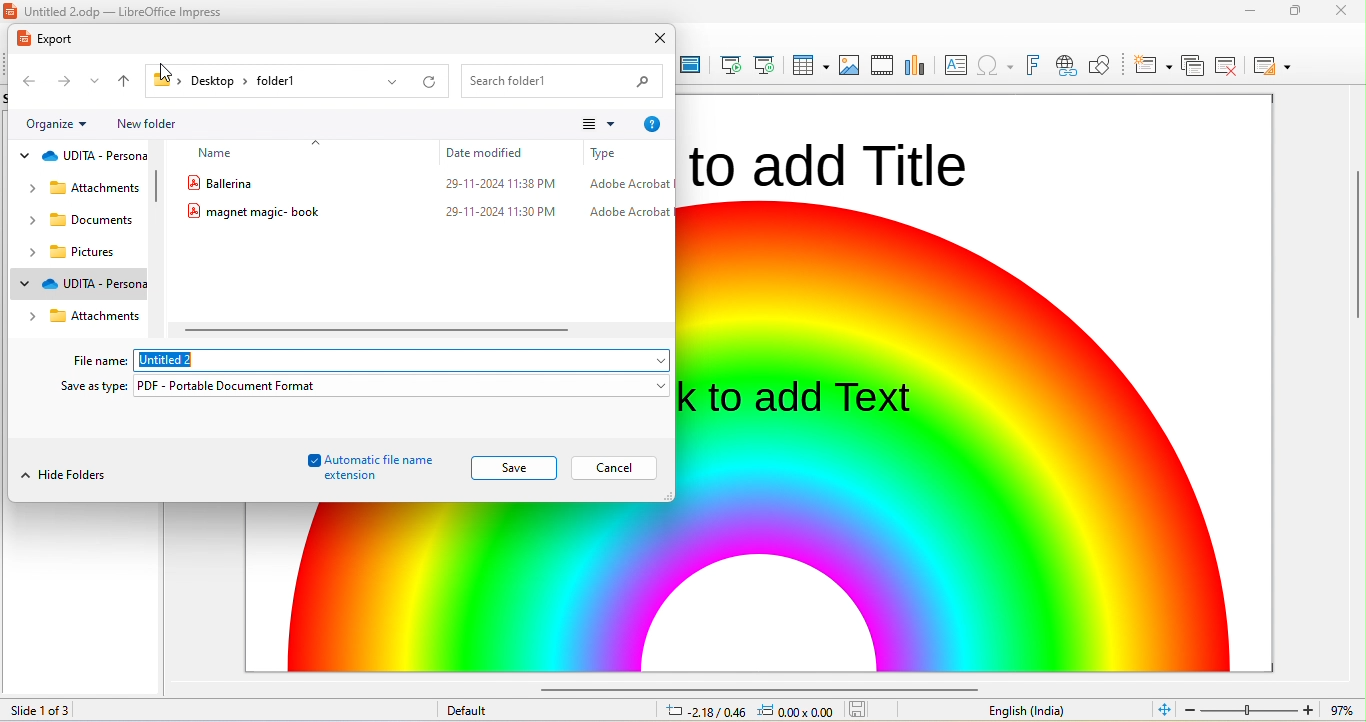 Image resolution: width=1366 pixels, height=722 pixels. What do you see at coordinates (96, 156) in the screenshot?
I see `udita personal` at bounding box center [96, 156].